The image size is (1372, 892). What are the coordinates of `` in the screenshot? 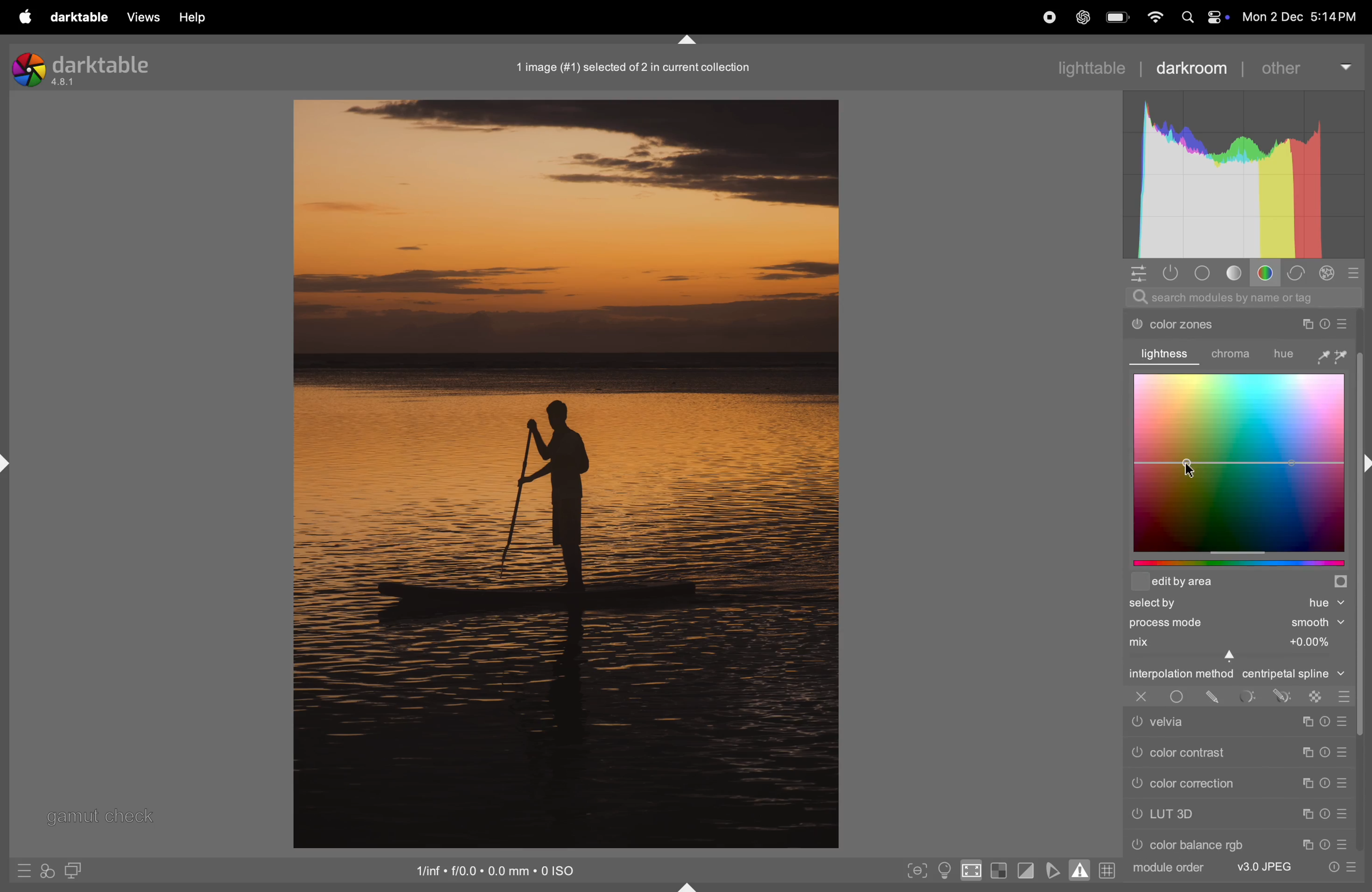 It's located at (1248, 697).